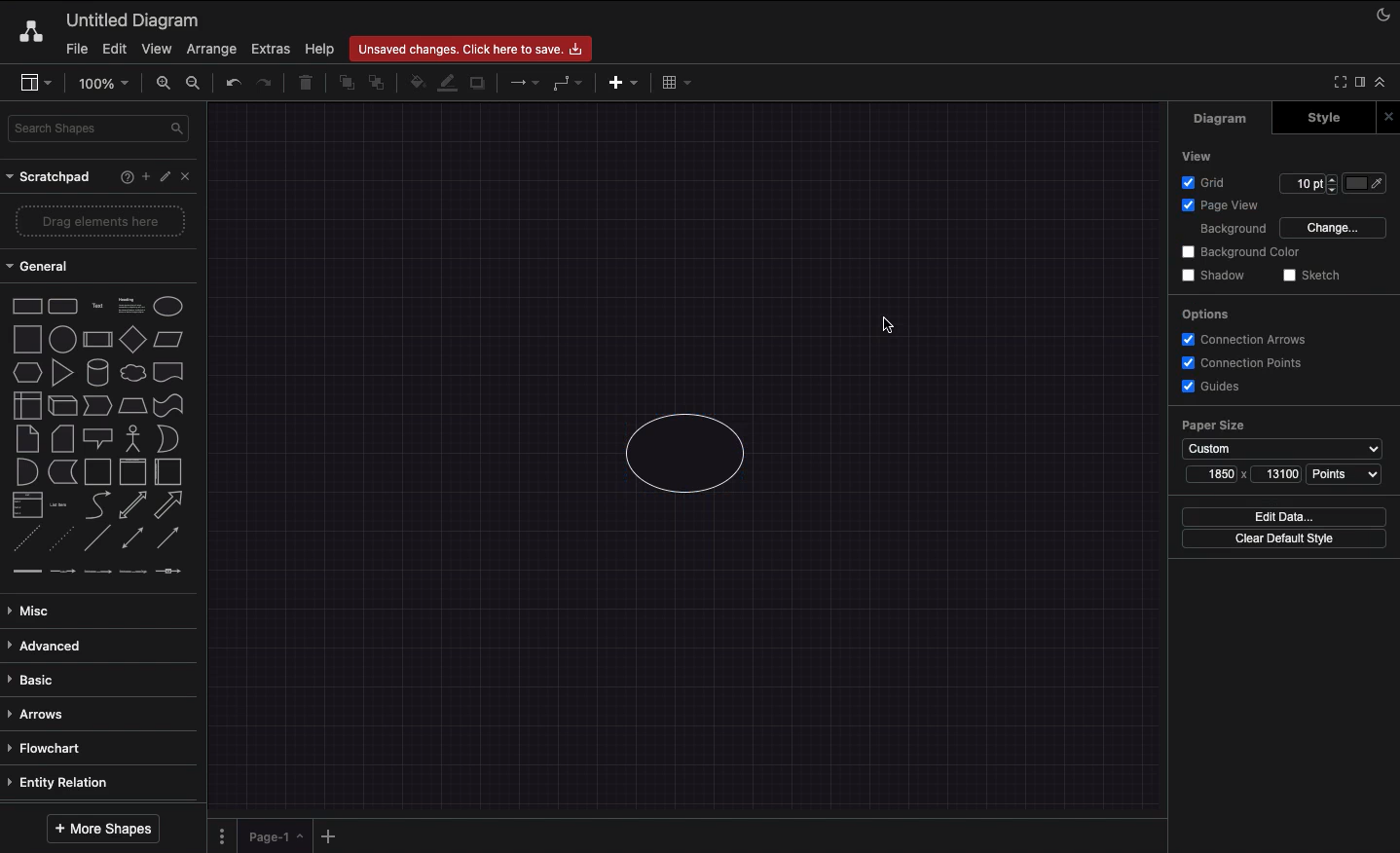 This screenshot has height=853, width=1400. What do you see at coordinates (1338, 81) in the screenshot?
I see `Full screen` at bounding box center [1338, 81].